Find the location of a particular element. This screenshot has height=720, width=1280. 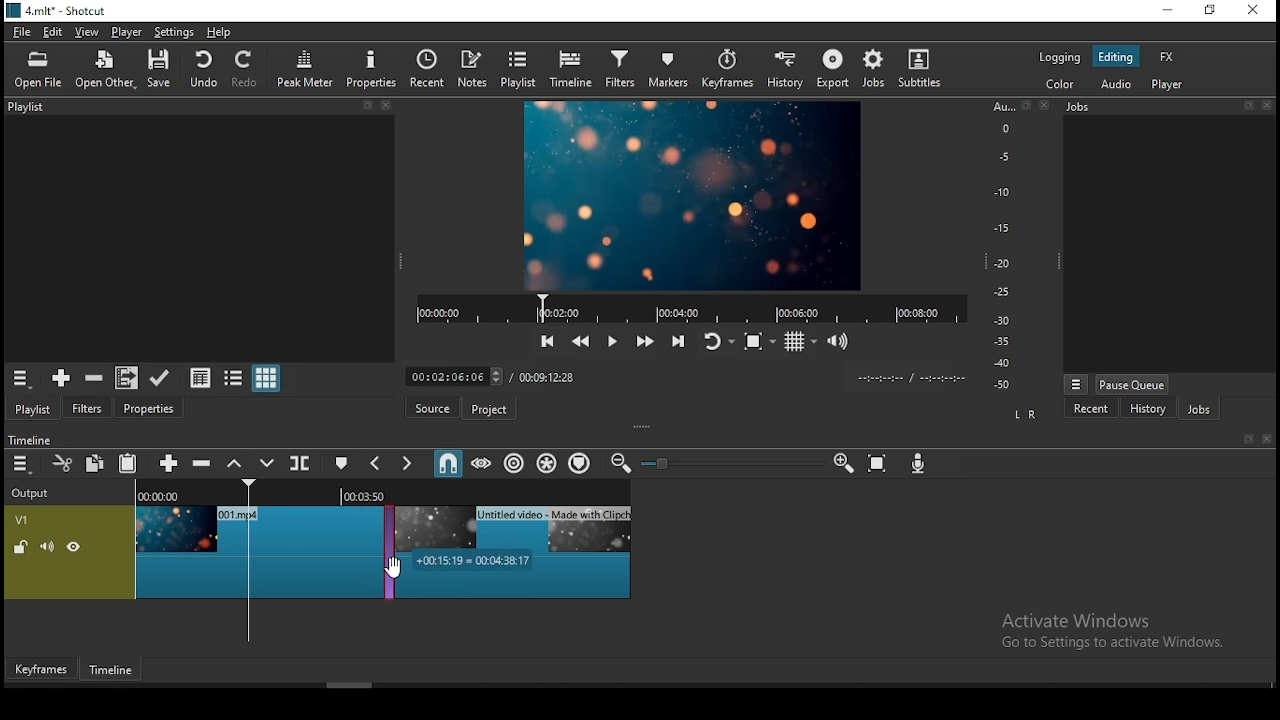

record audio is located at coordinates (918, 464).